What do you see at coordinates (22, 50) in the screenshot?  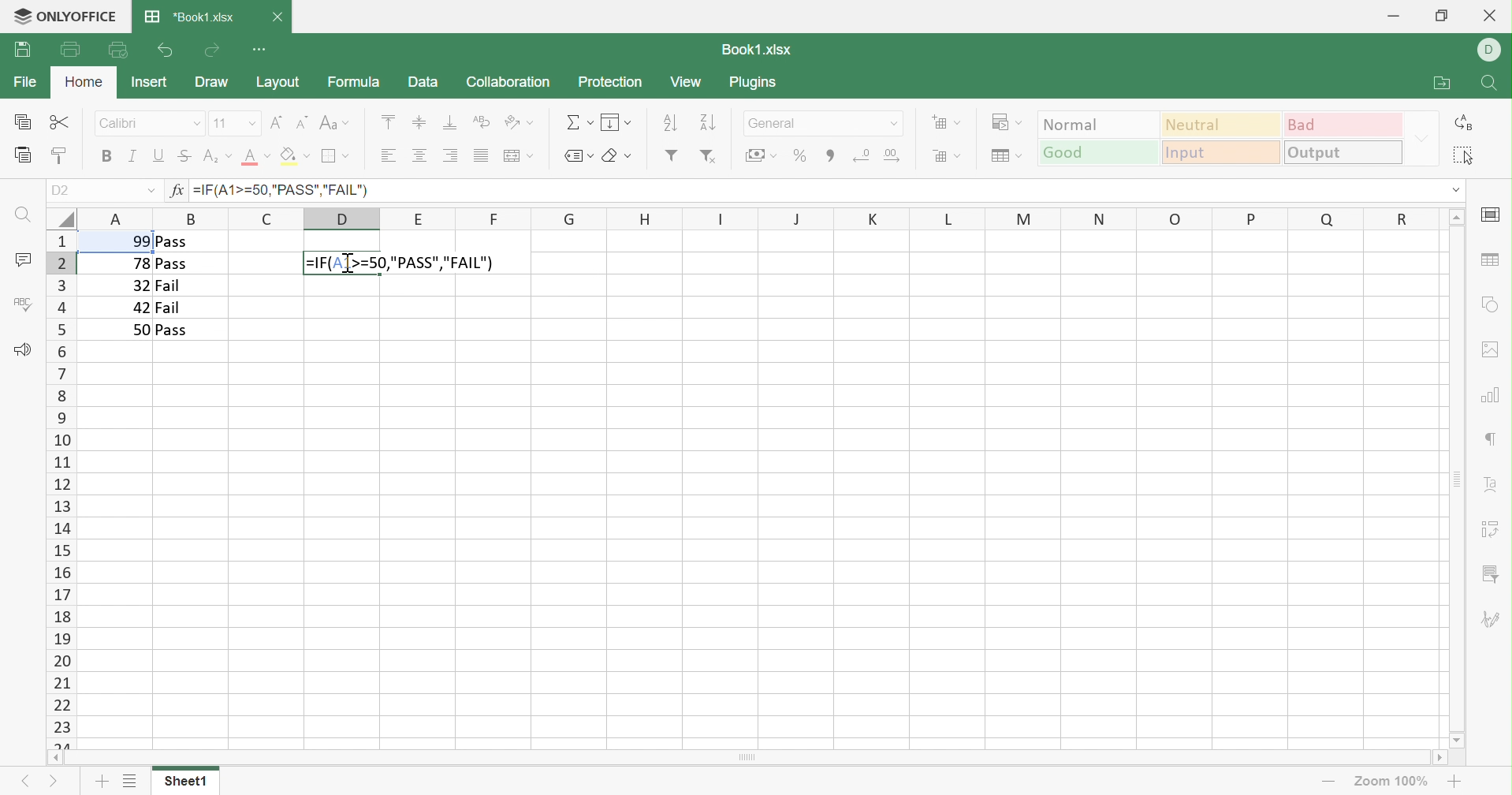 I see `Save` at bounding box center [22, 50].